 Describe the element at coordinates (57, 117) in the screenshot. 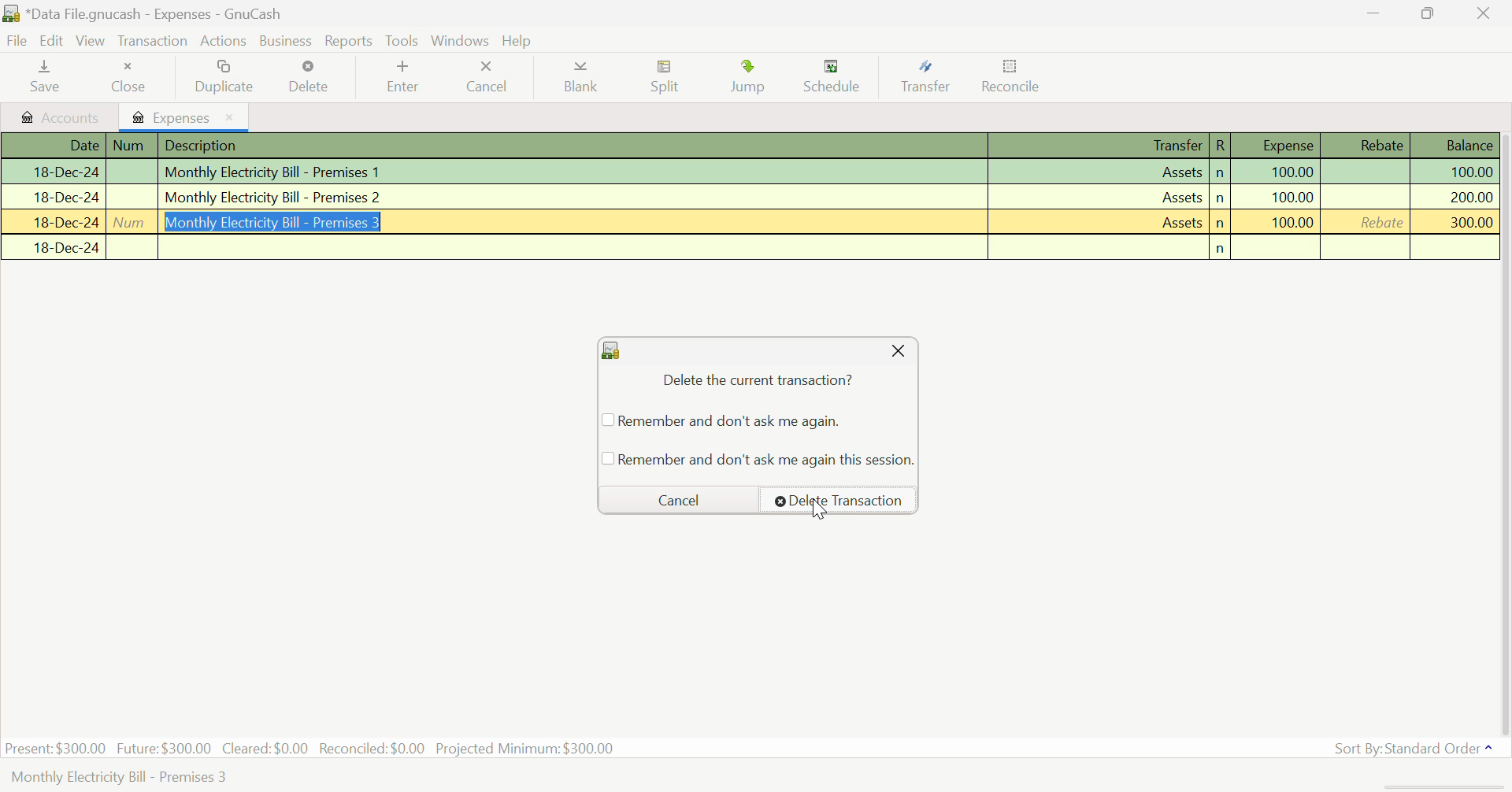

I see `Accounts` at that location.